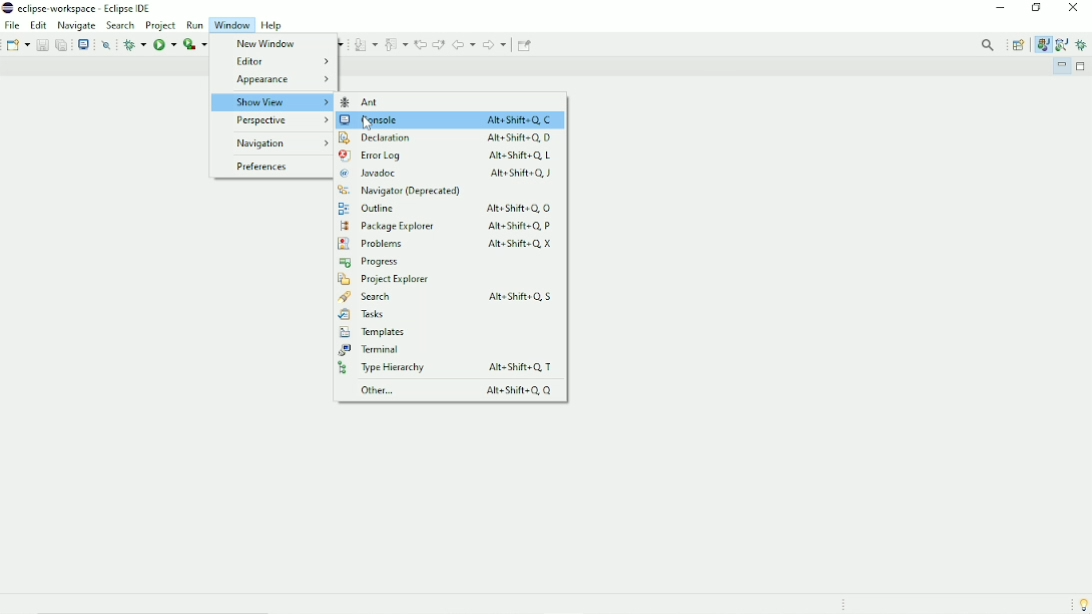 The image size is (1092, 614). Describe the element at coordinates (1061, 45) in the screenshot. I see `Java Browsing` at that location.